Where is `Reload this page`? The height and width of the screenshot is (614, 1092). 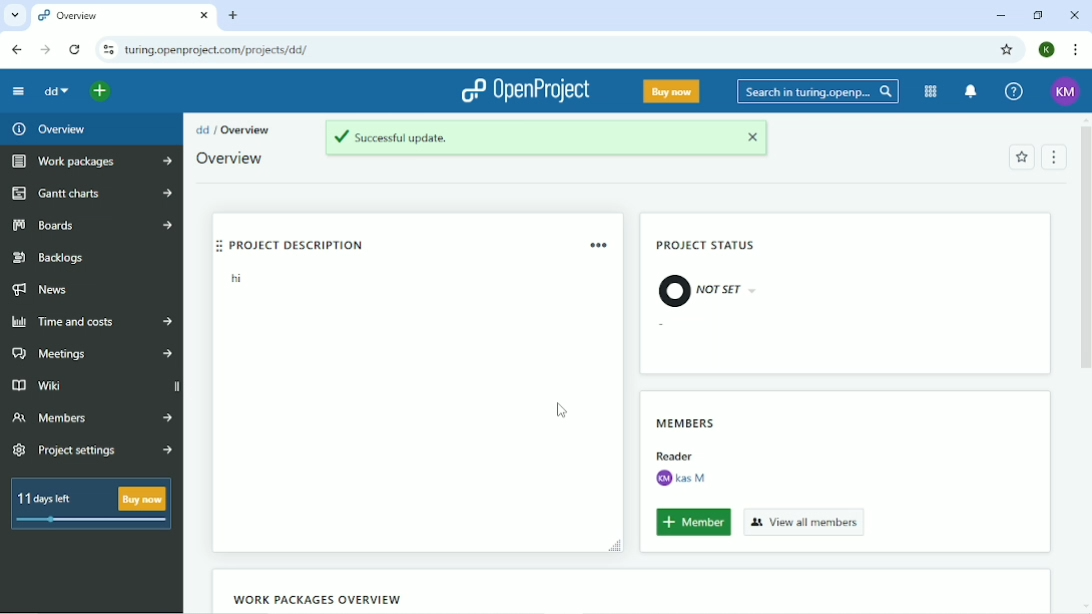
Reload this page is located at coordinates (76, 49).